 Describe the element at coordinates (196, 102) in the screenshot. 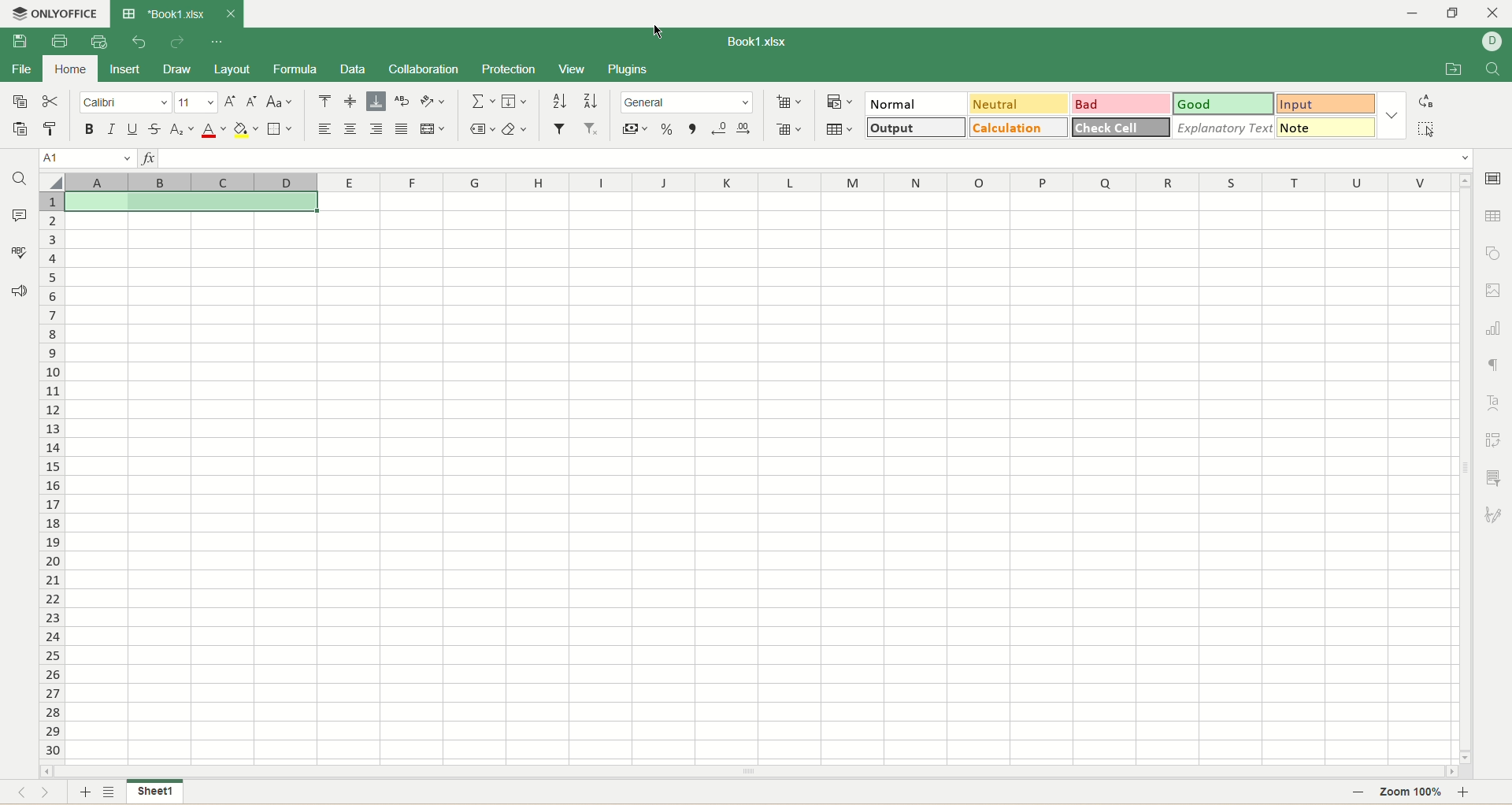

I see `font size` at that location.